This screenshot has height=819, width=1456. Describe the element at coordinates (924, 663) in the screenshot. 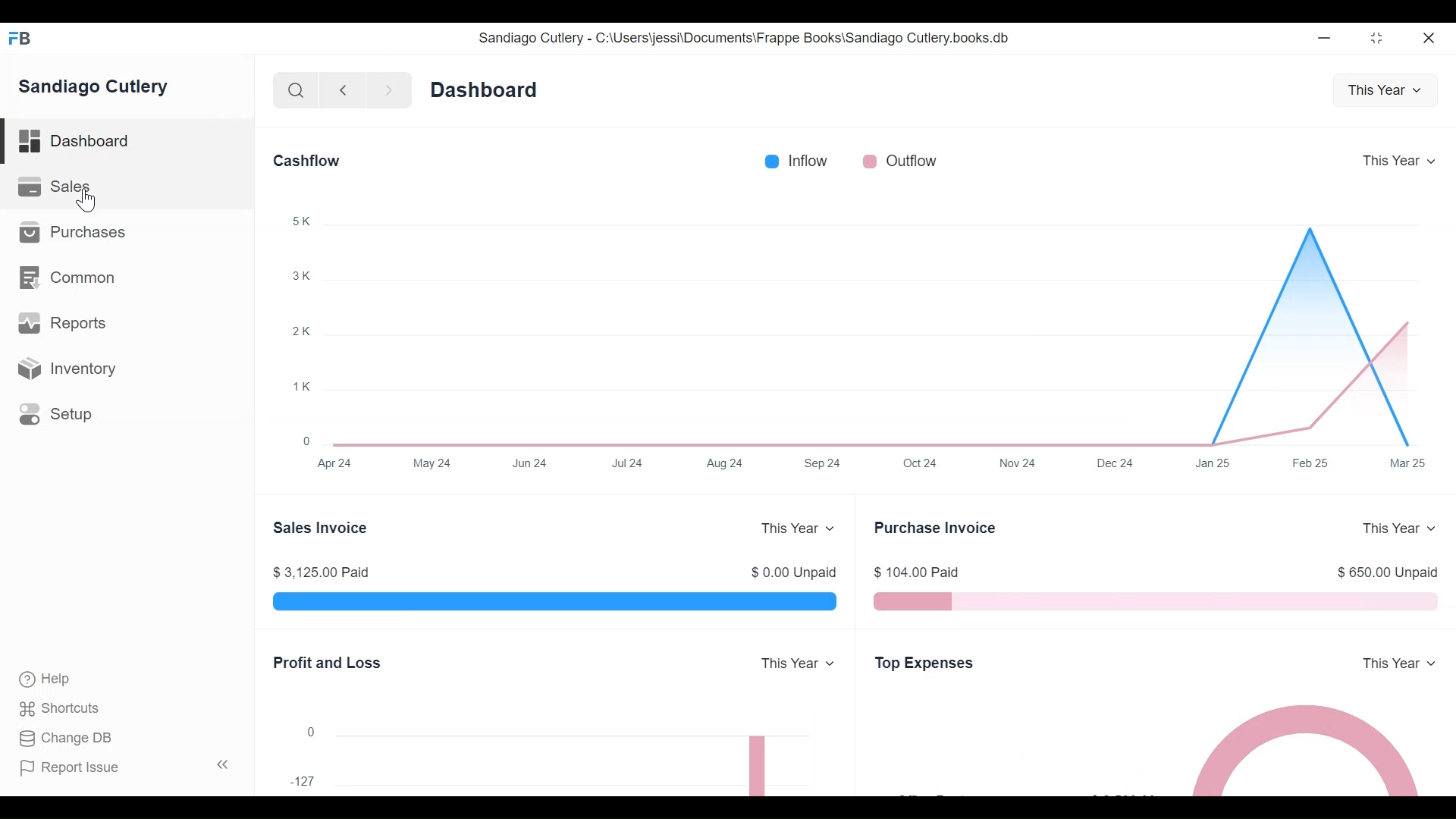

I see `Top expenses` at that location.